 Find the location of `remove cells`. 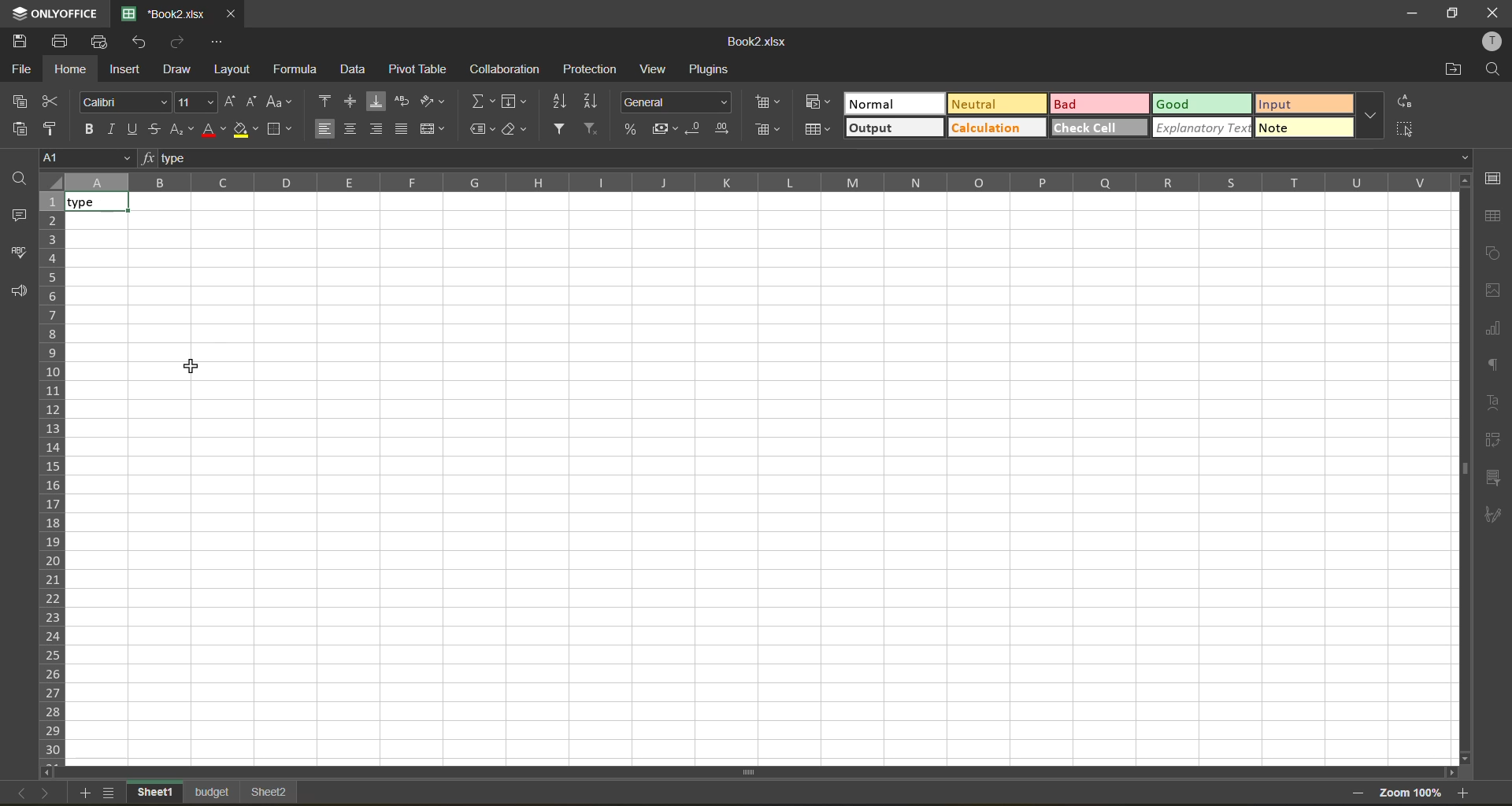

remove cells is located at coordinates (768, 132).